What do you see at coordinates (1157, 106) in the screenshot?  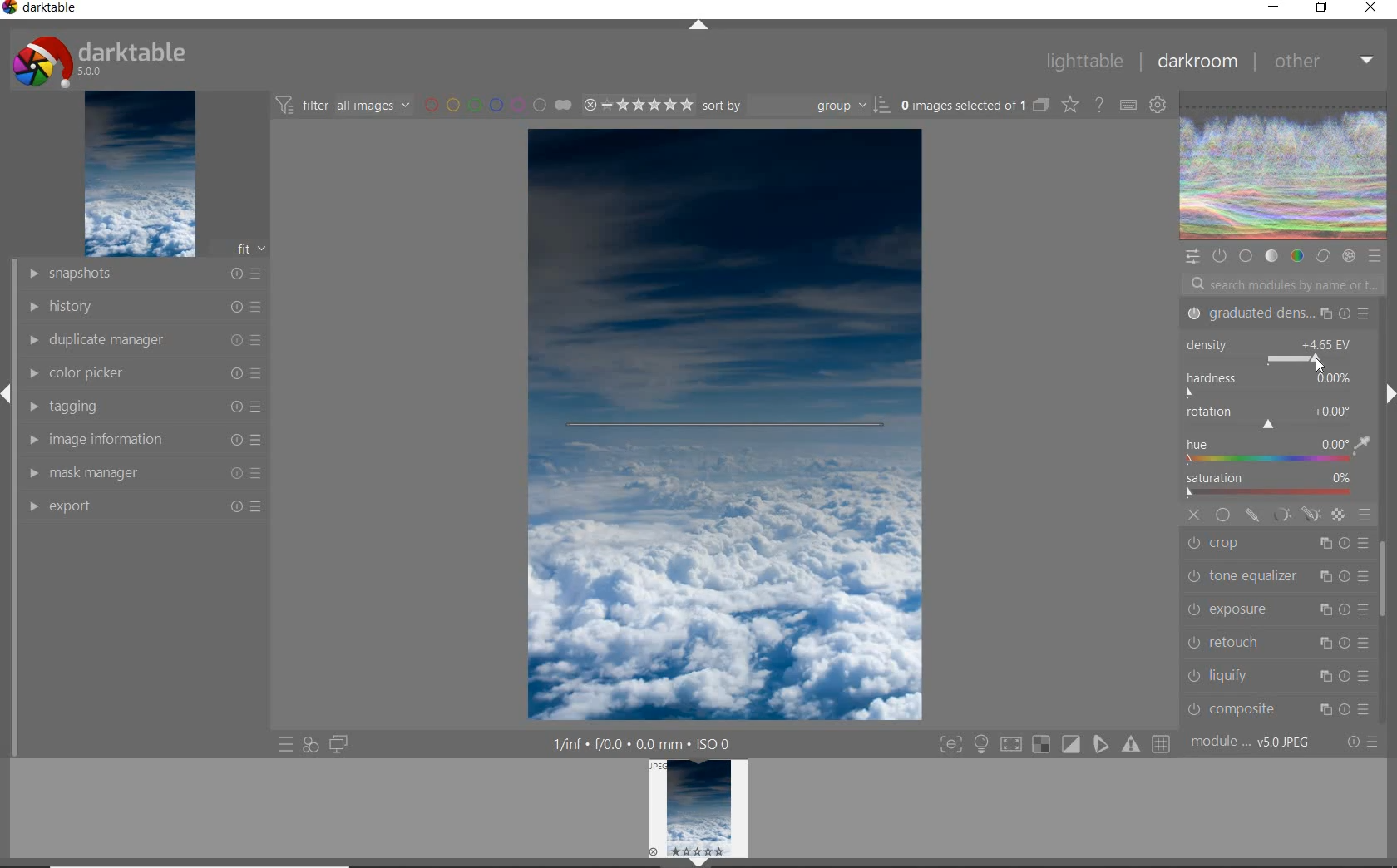 I see `SHOW GLOBAL PREFERENCE` at bounding box center [1157, 106].